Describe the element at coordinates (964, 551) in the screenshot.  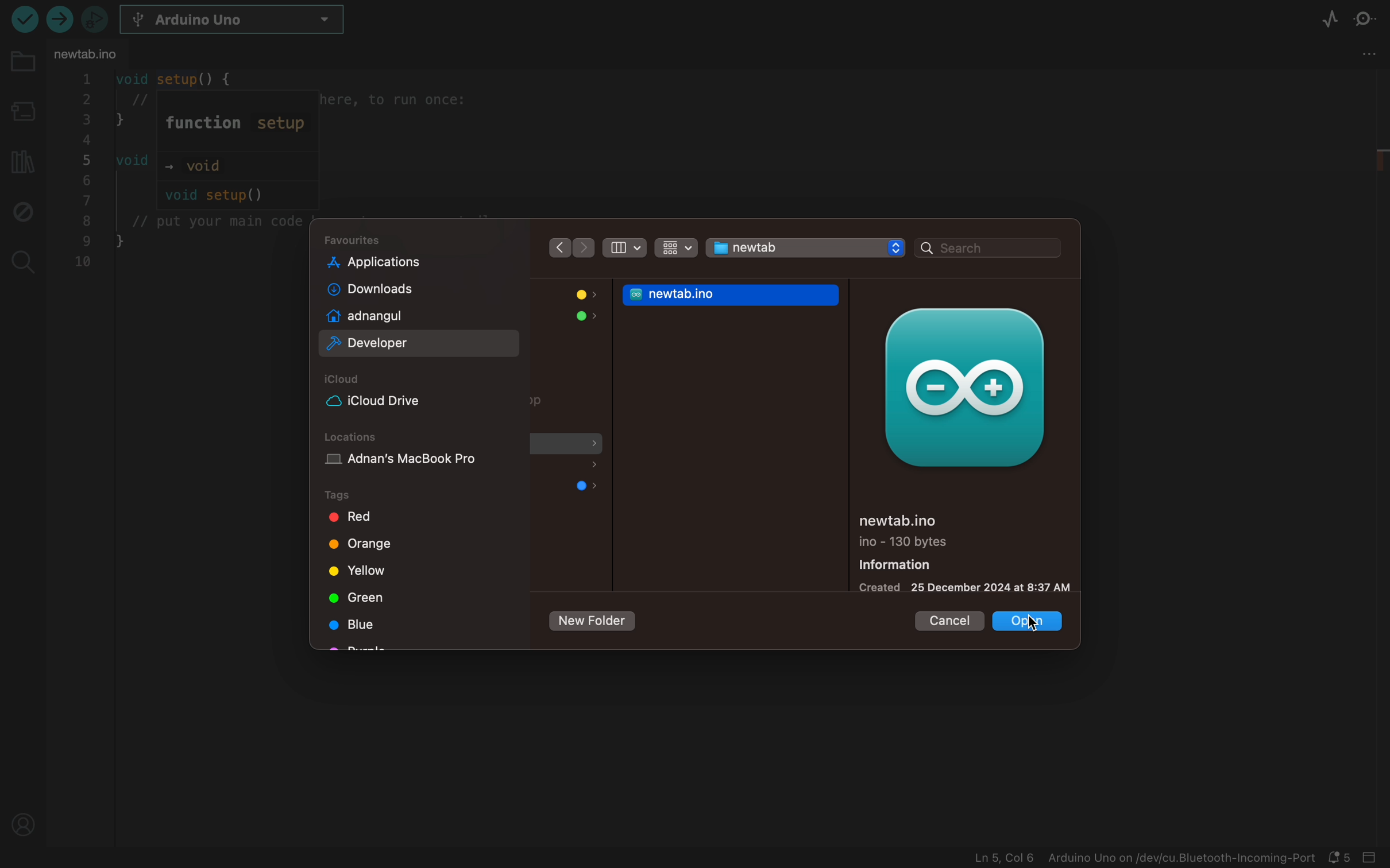
I see `information` at that location.